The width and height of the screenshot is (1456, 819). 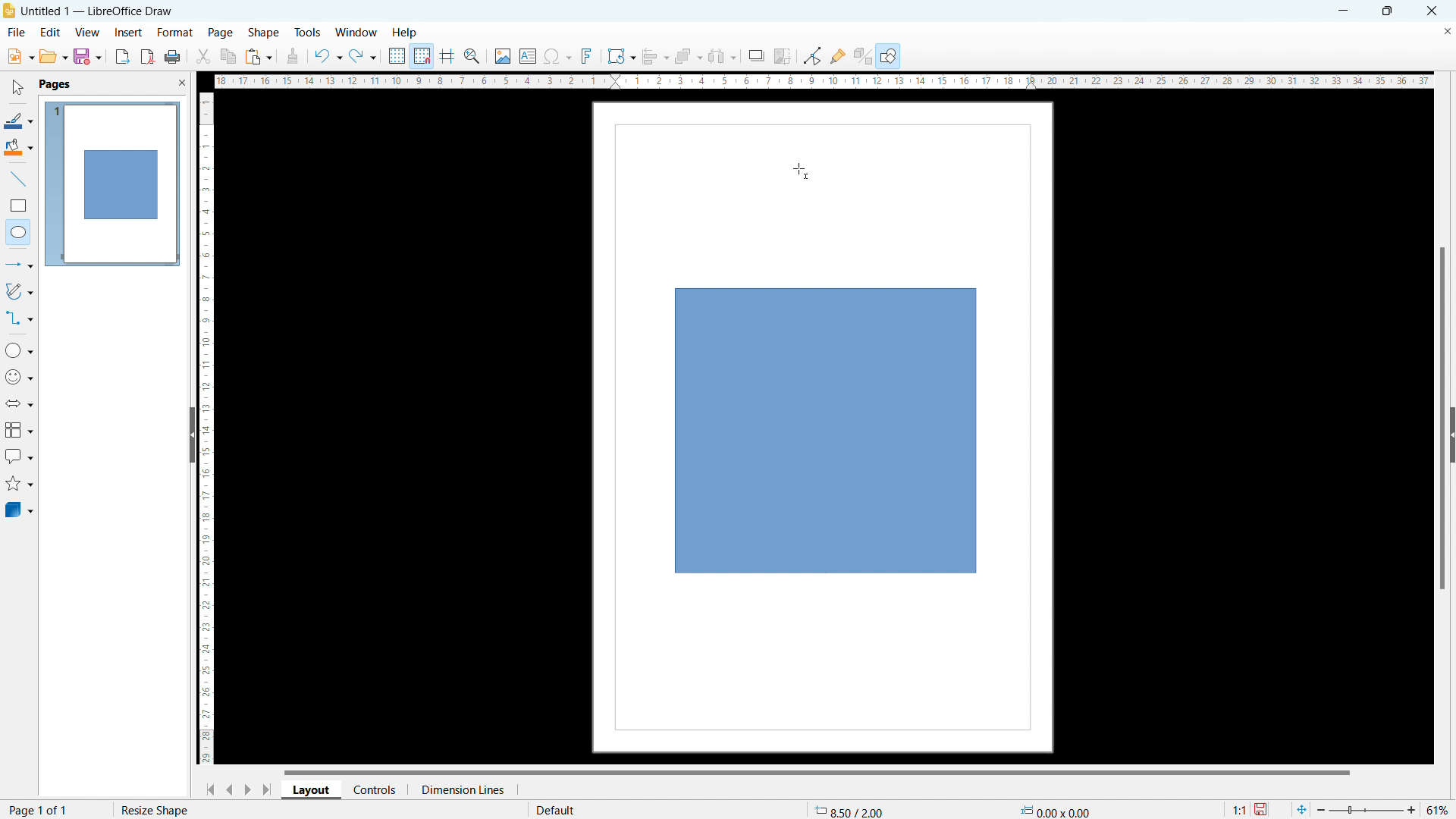 What do you see at coordinates (1447, 30) in the screenshot?
I see `close document` at bounding box center [1447, 30].